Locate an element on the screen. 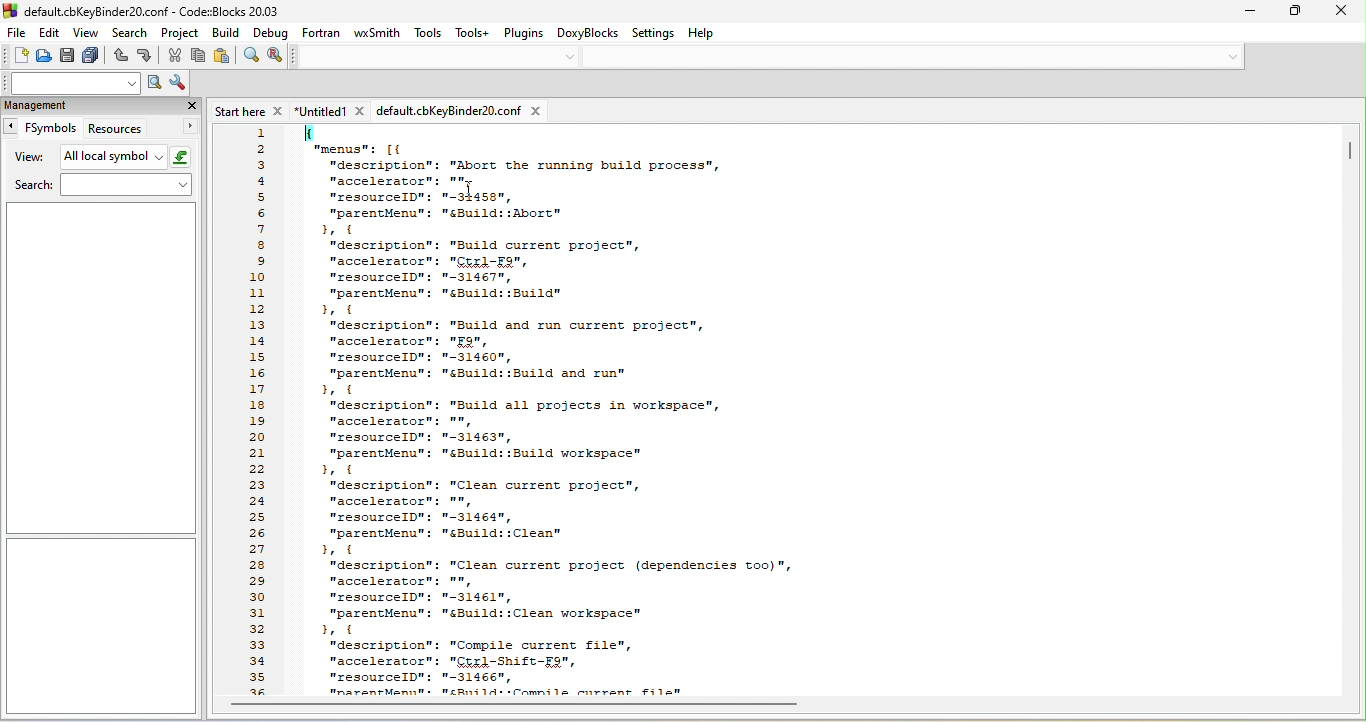  replace is located at coordinates (278, 57).